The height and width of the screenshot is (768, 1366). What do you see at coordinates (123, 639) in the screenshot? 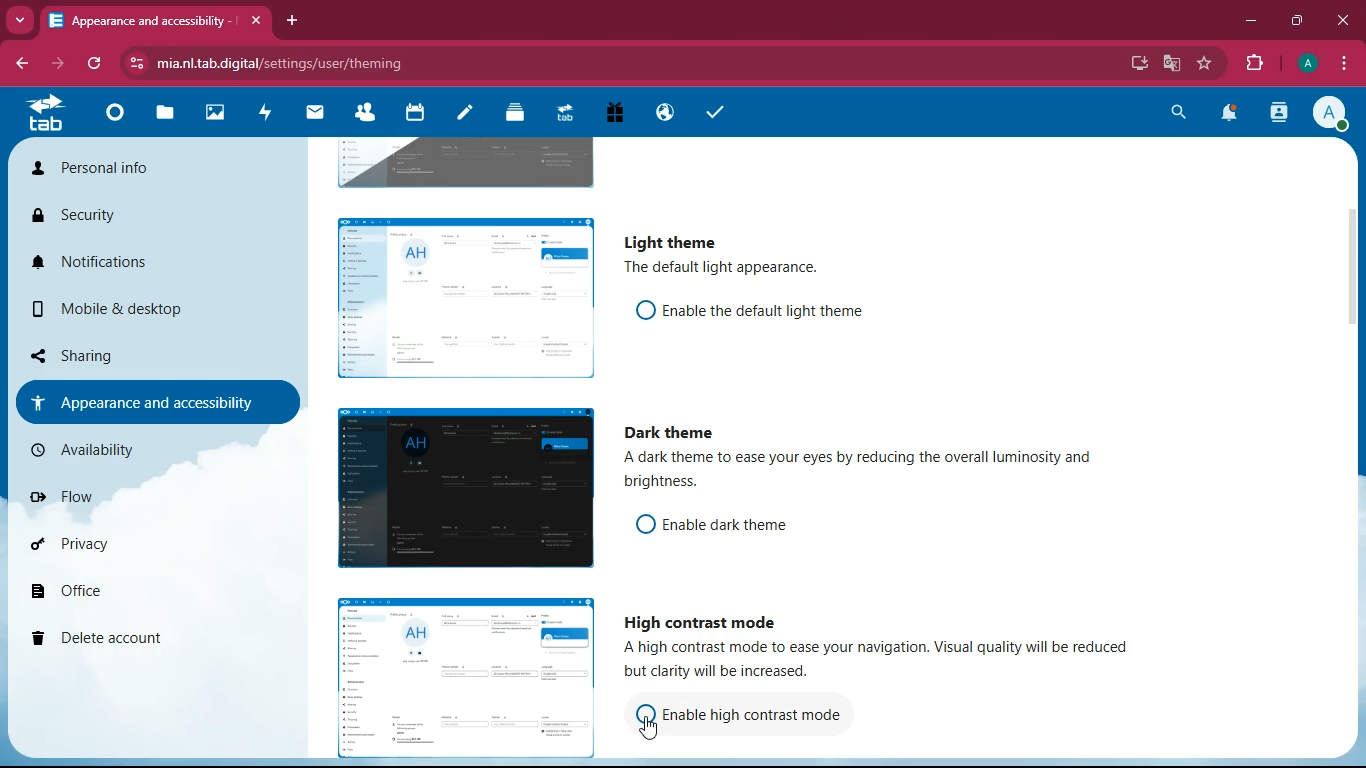
I see `delete` at bounding box center [123, 639].